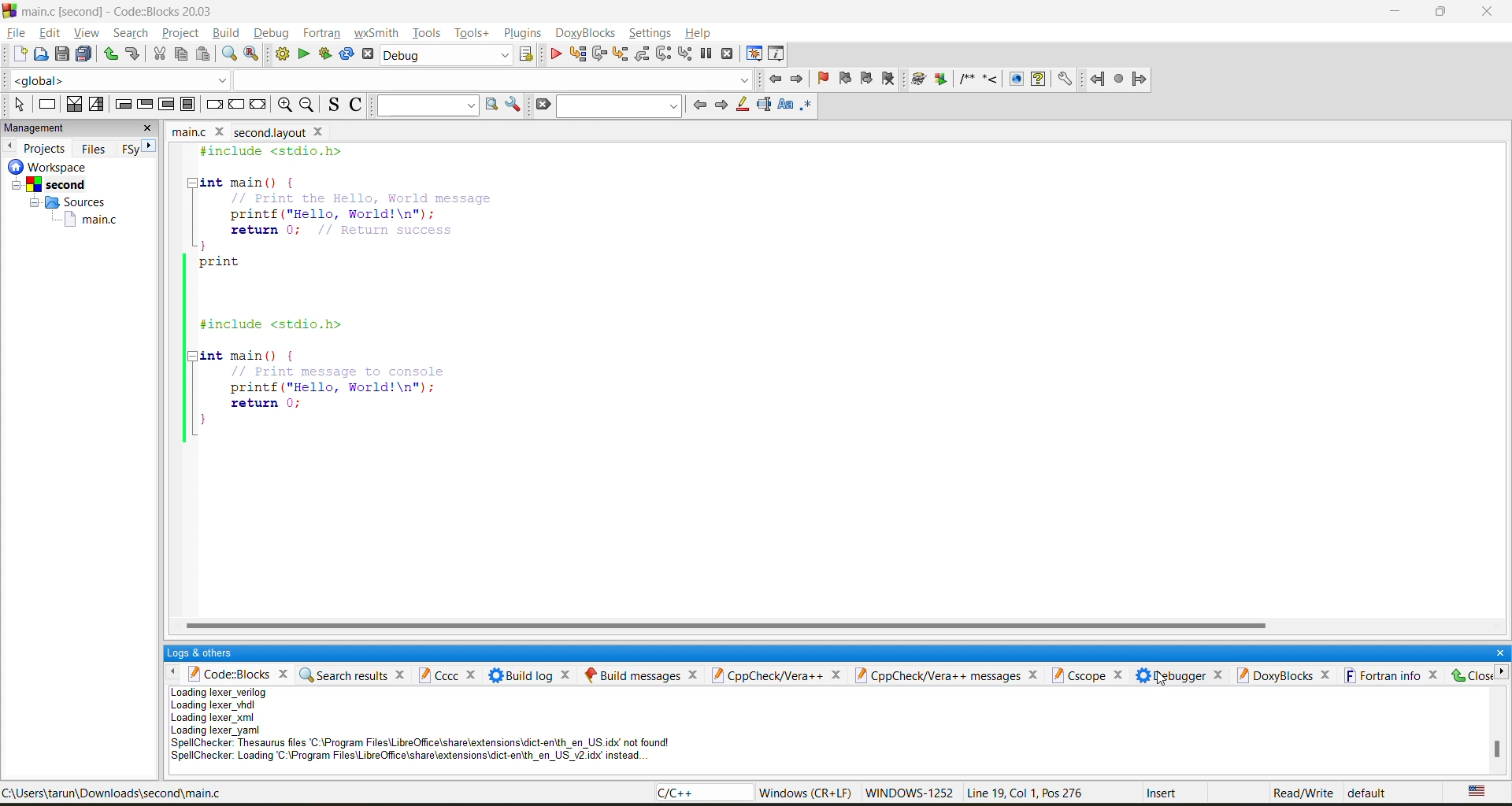 The width and height of the screenshot is (1512, 806). What do you see at coordinates (287, 105) in the screenshot?
I see `zoom in` at bounding box center [287, 105].